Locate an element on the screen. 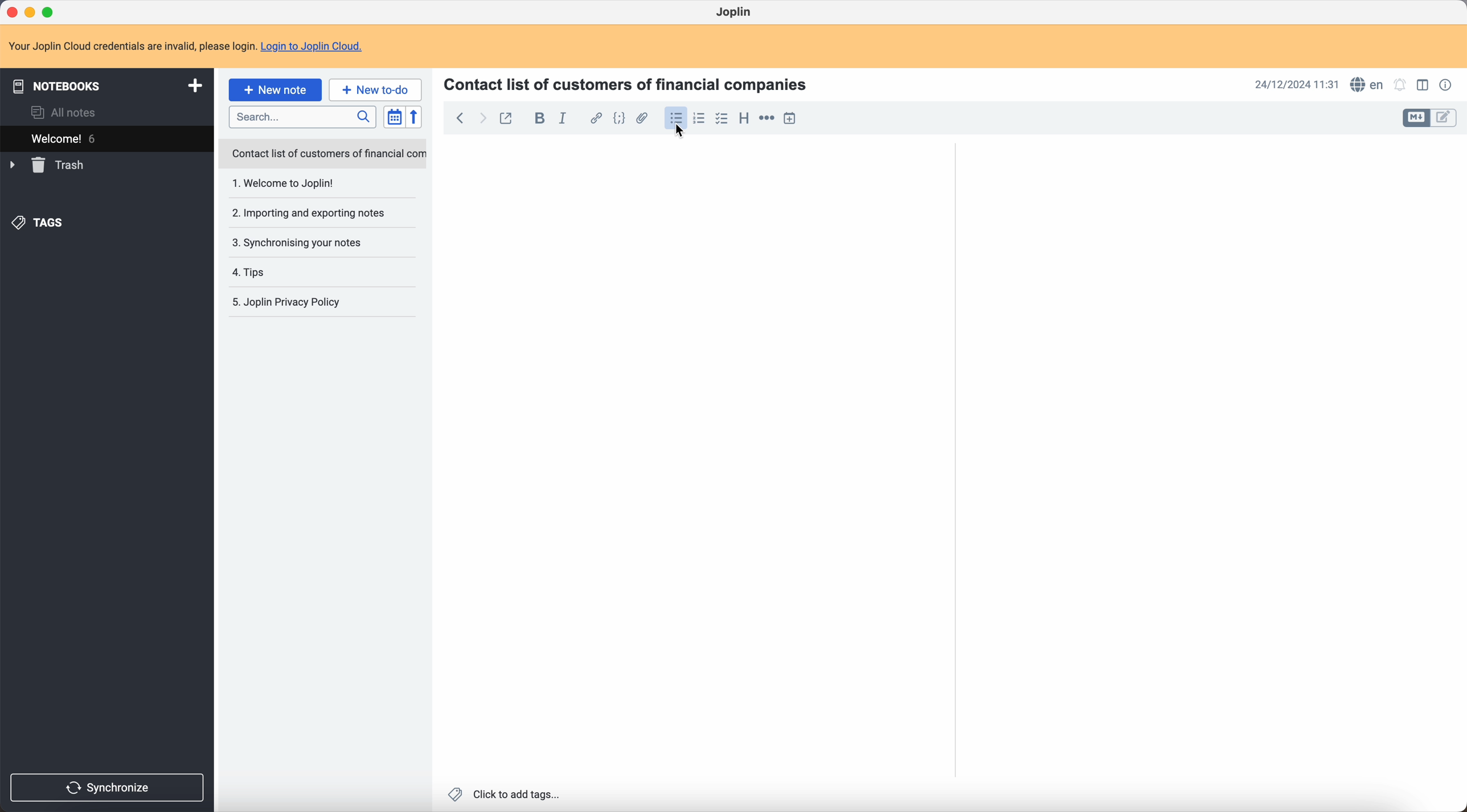 This screenshot has height=812, width=1467. bold is located at coordinates (538, 118).